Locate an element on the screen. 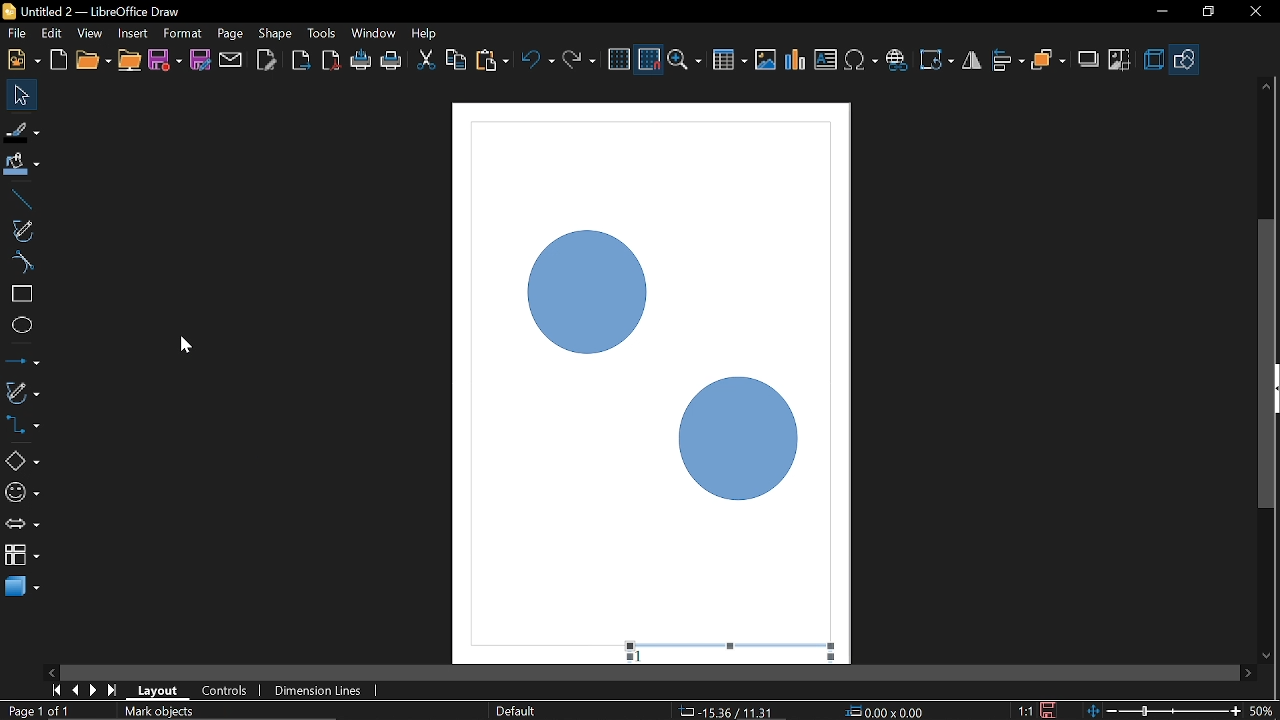 Image resolution: width=1280 pixels, height=720 pixels. Save is located at coordinates (1051, 710).